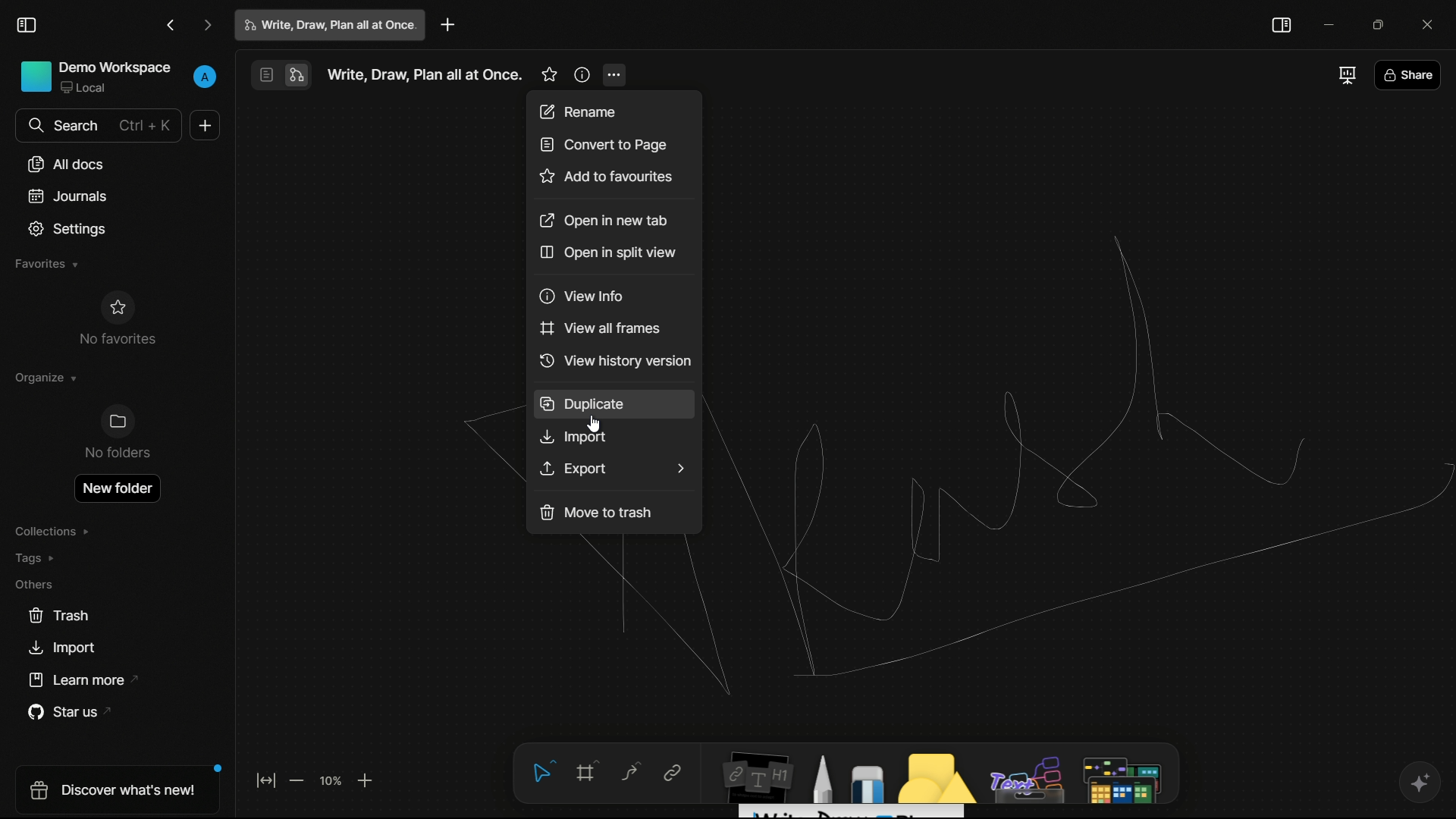 This screenshot has width=1456, height=819. Describe the element at coordinates (846, 775) in the screenshot. I see `draw` at that location.